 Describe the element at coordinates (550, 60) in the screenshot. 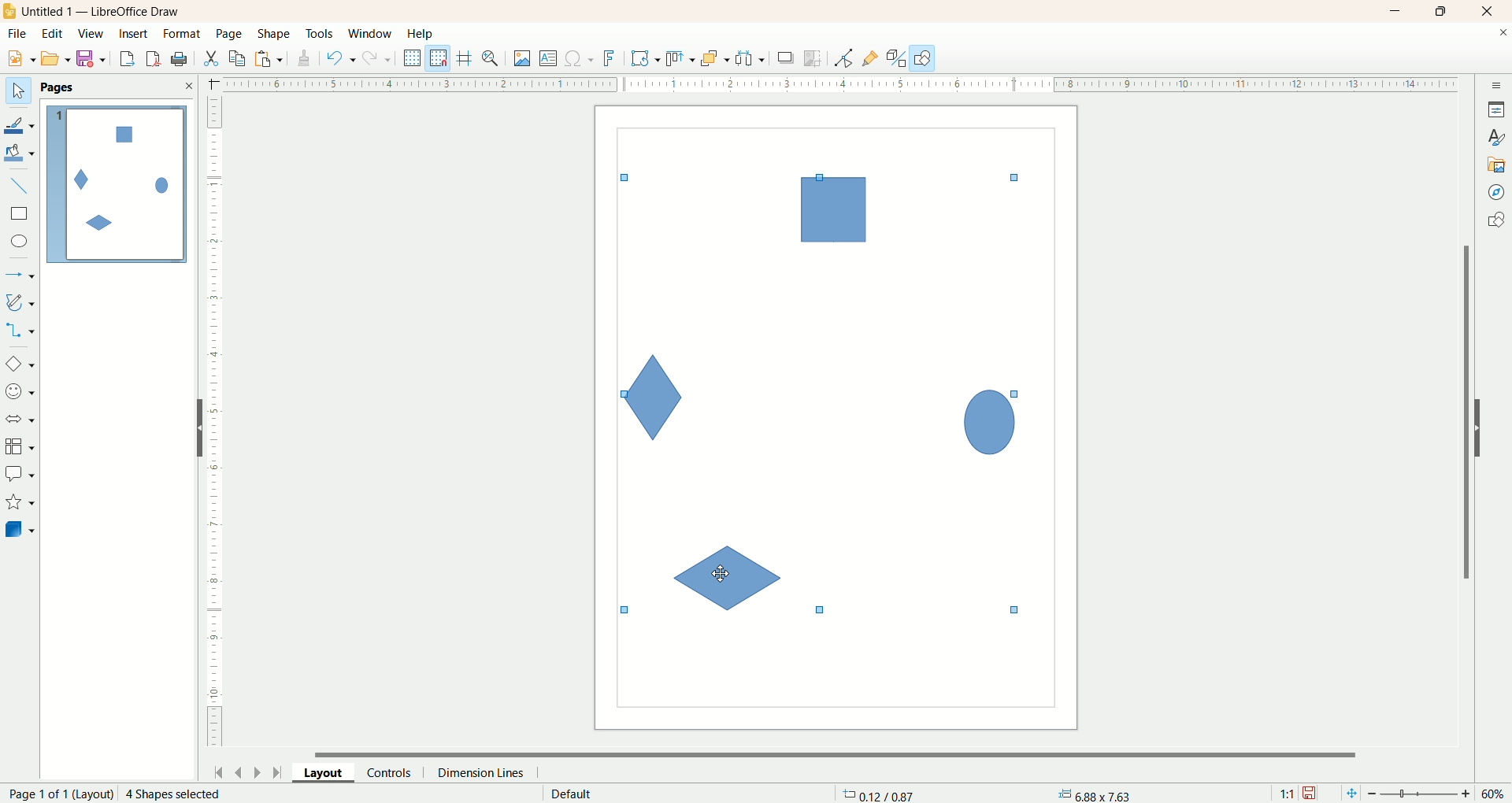

I see `text box` at that location.